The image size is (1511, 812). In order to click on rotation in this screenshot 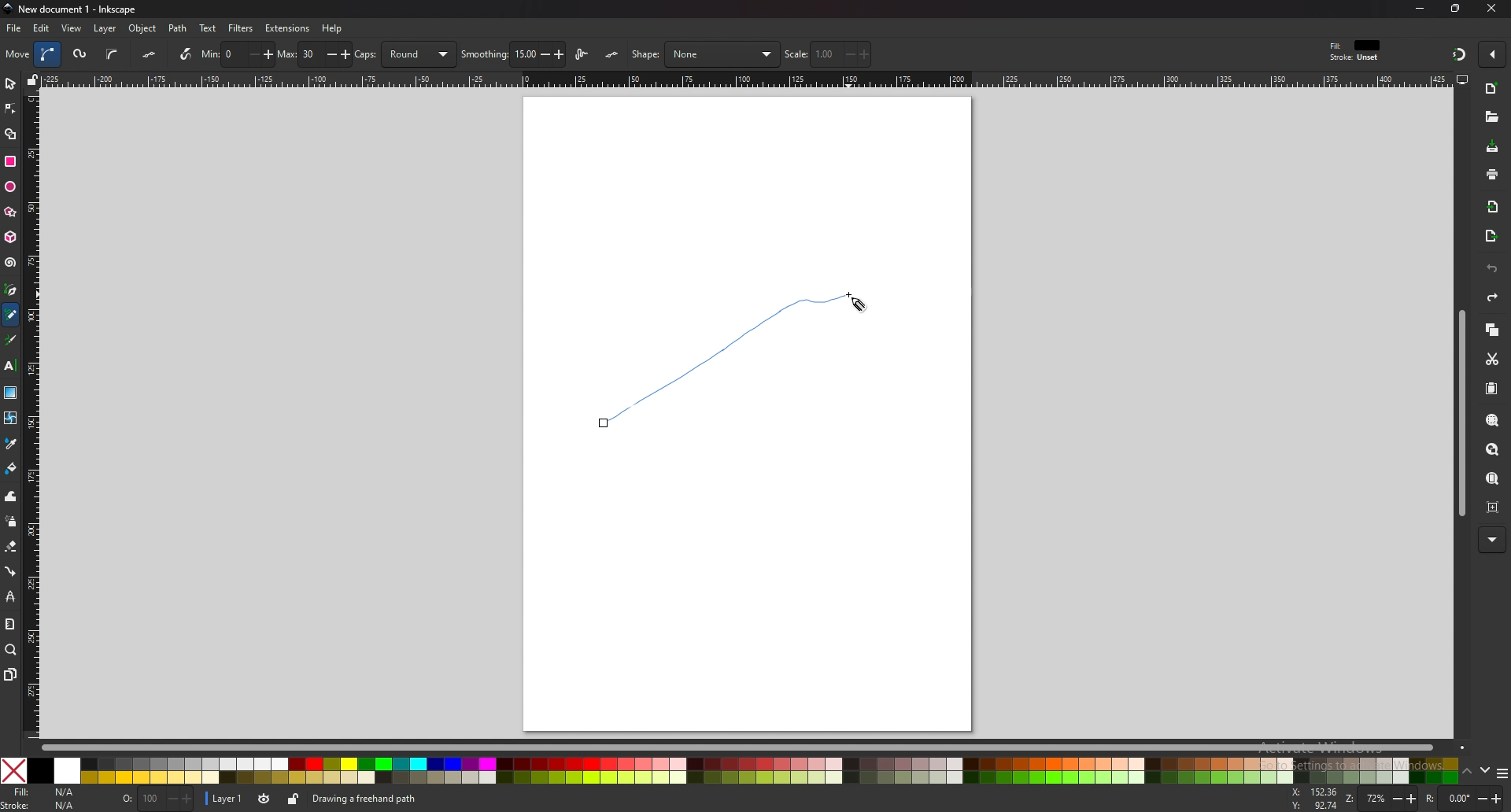, I will do `click(1461, 795)`.